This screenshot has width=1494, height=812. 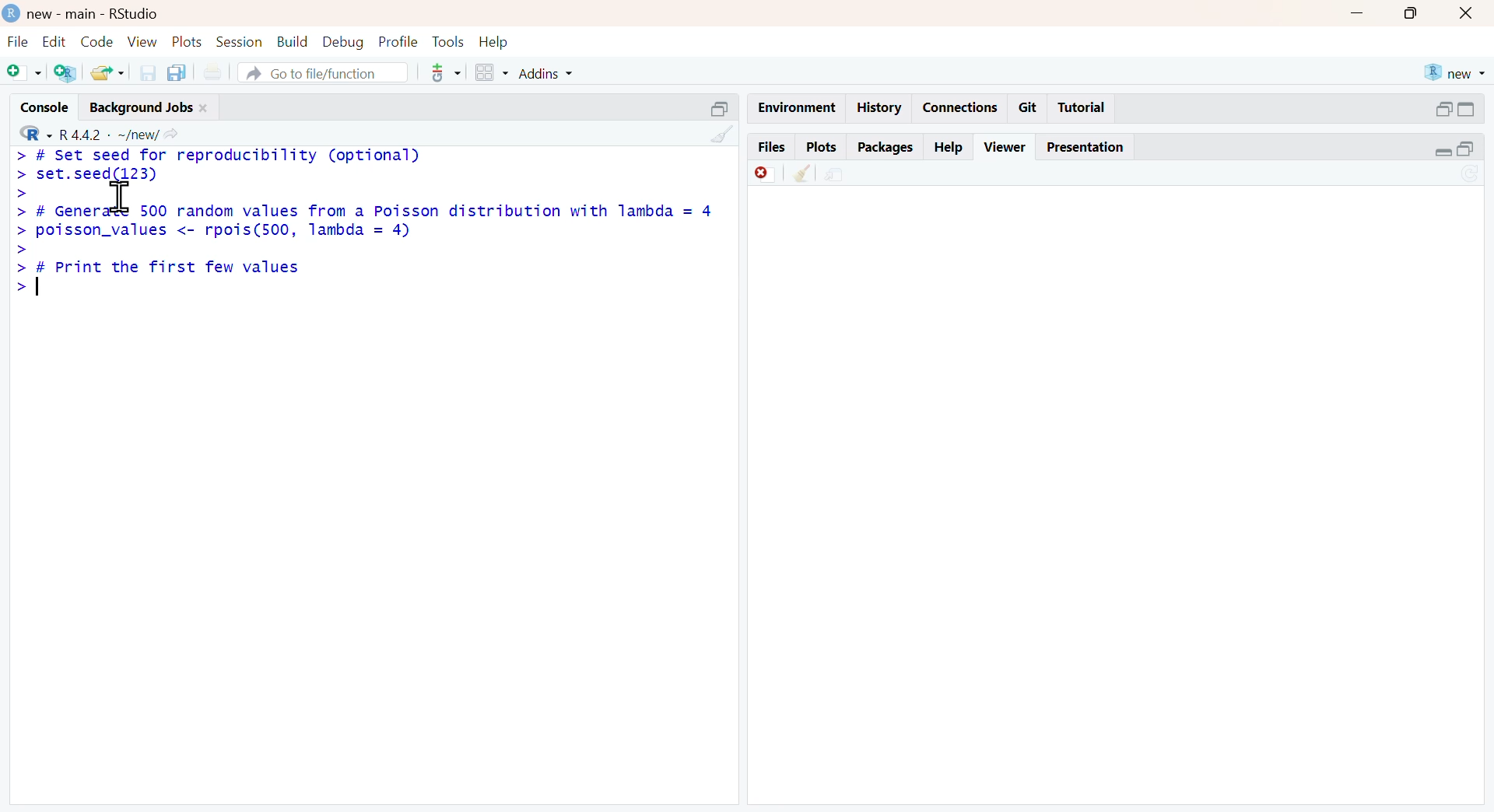 I want to click on help, so click(x=948, y=148).